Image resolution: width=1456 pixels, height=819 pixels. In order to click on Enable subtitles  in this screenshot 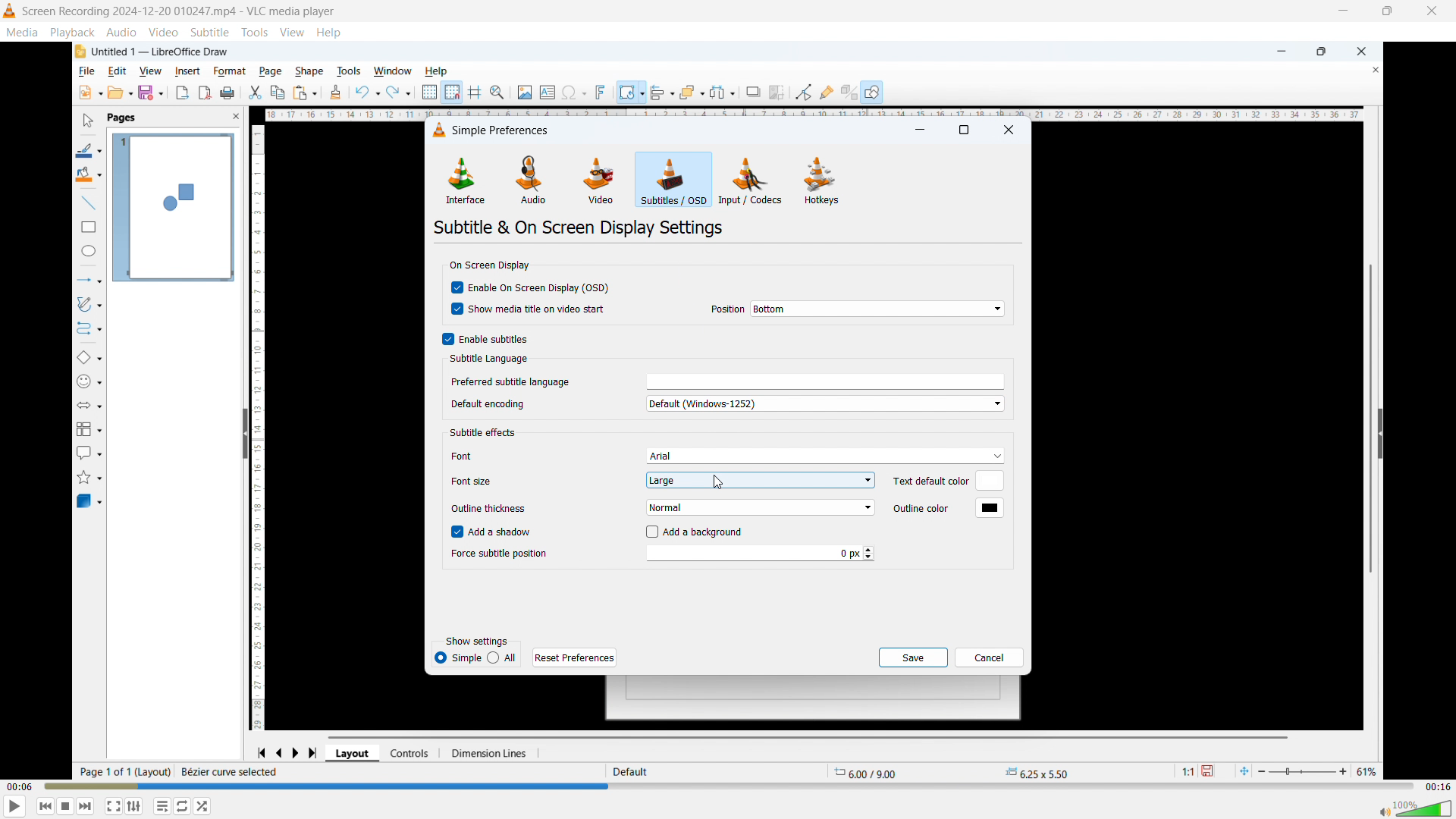, I will do `click(485, 338)`.